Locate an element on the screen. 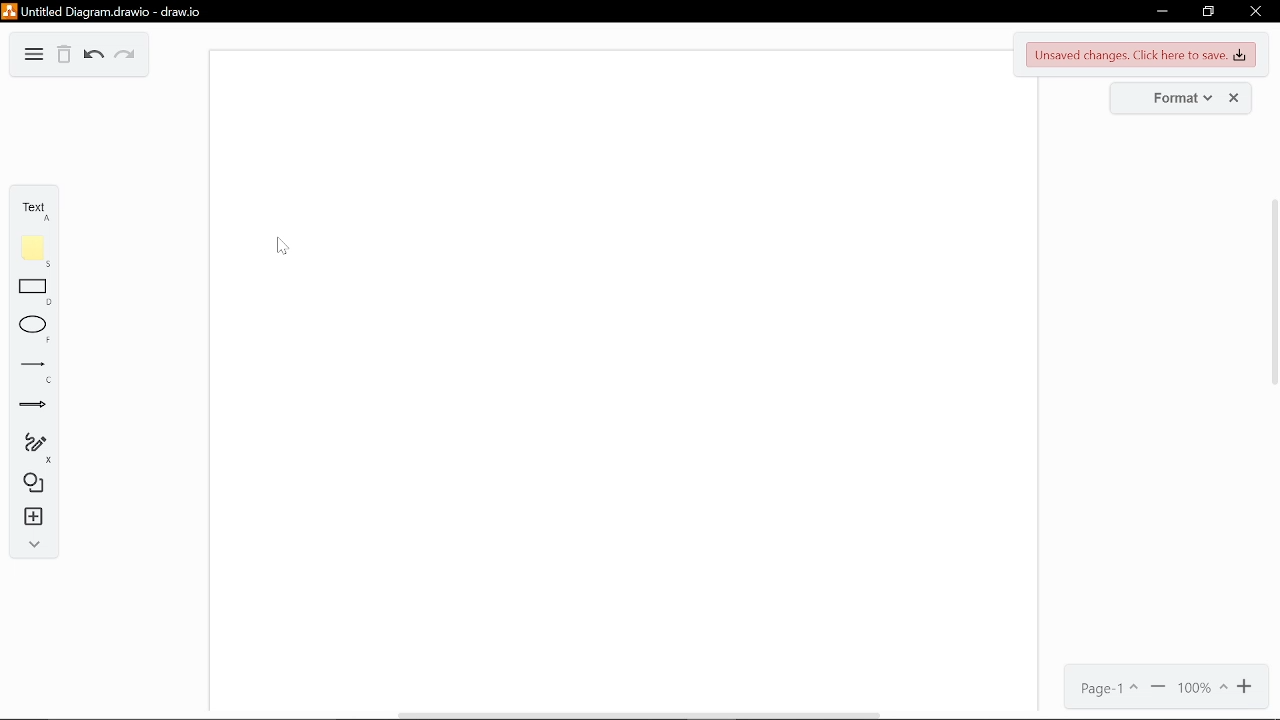 The image size is (1280, 720). zoom in is located at coordinates (1246, 687).